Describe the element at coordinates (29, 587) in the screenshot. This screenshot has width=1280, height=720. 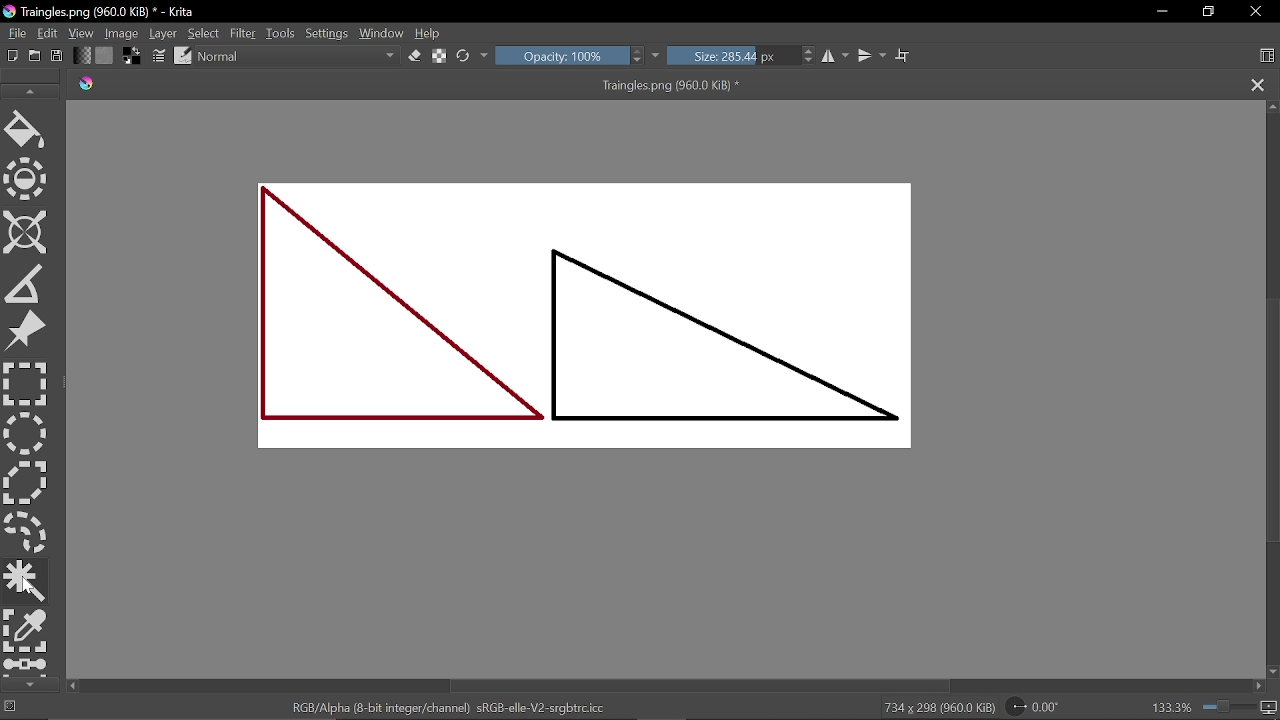
I see `cursor` at that location.